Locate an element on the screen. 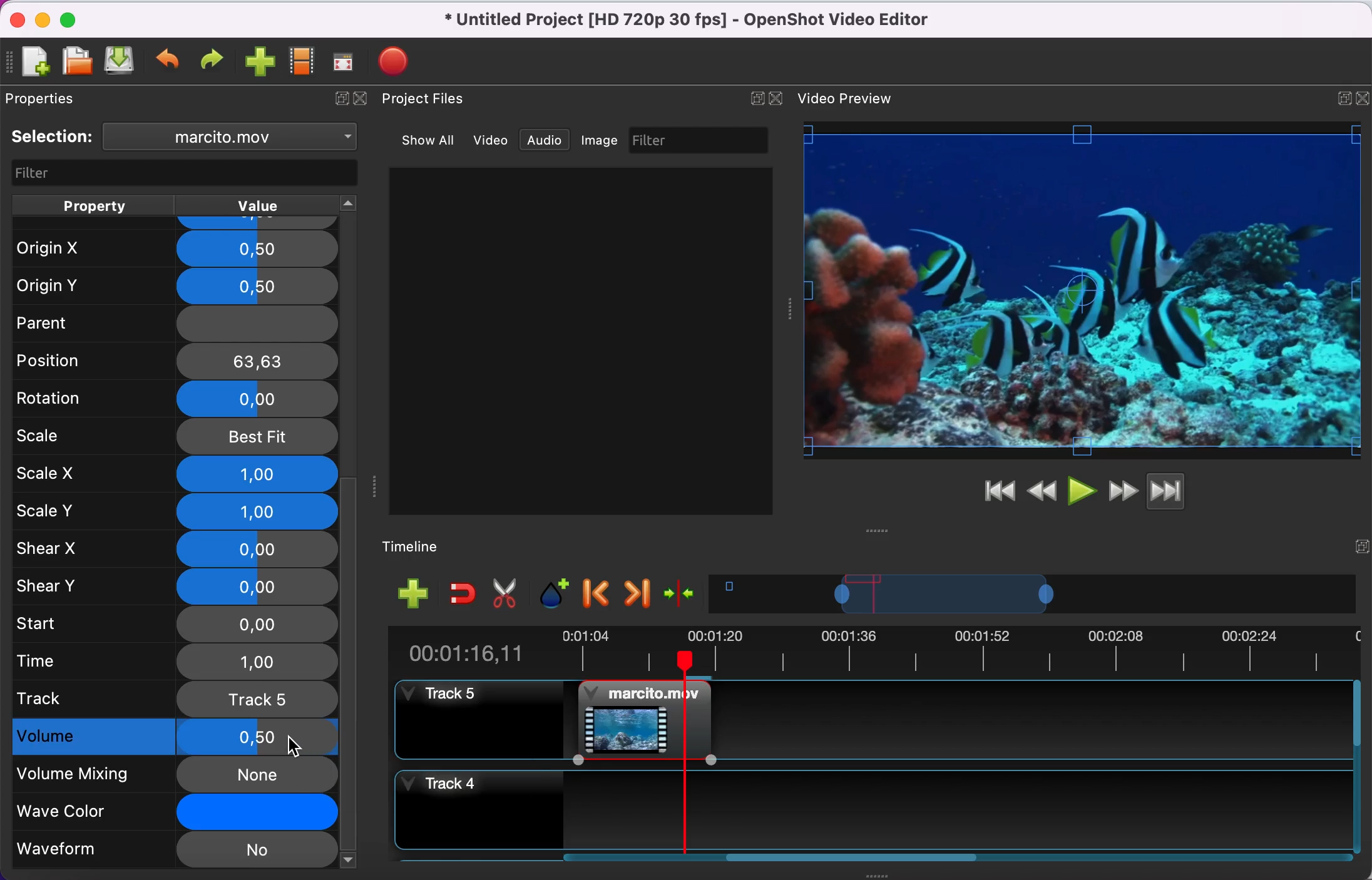 This screenshot has width=1372, height=880. undo is located at coordinates (170, 62).